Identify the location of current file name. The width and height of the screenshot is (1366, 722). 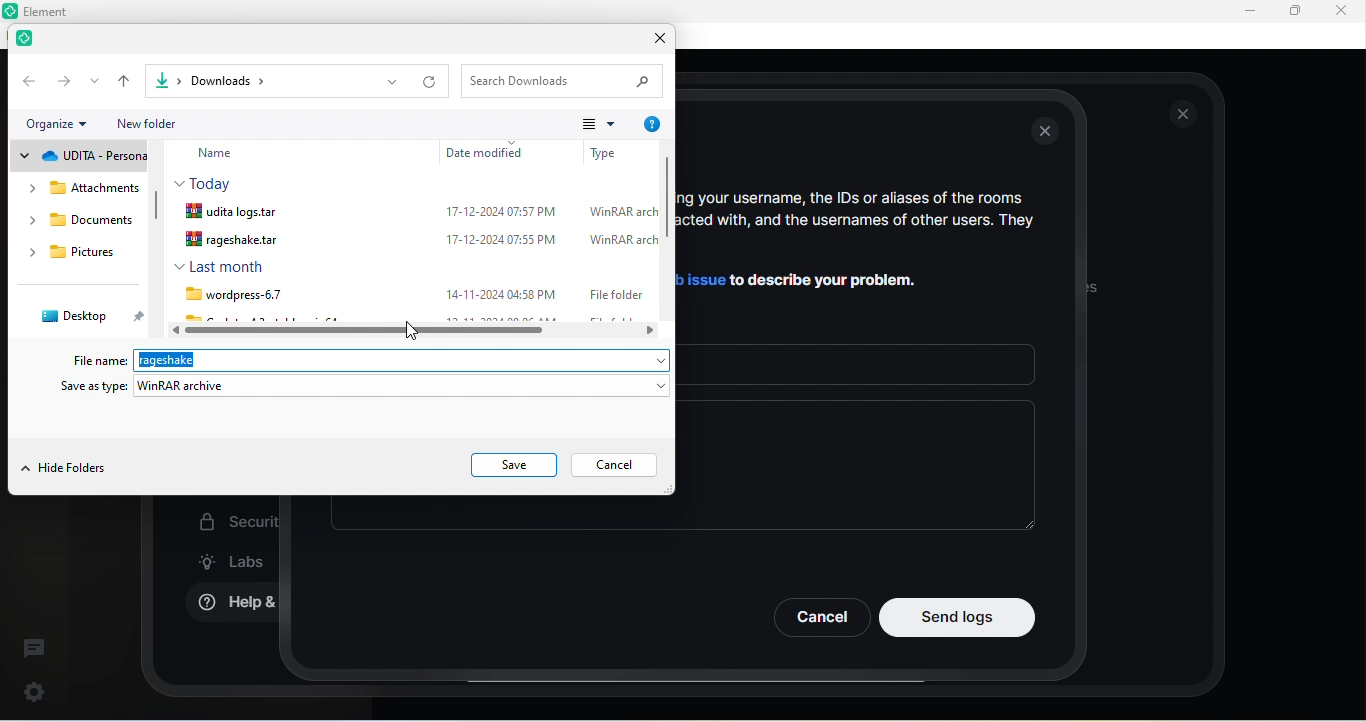
(203, 359).